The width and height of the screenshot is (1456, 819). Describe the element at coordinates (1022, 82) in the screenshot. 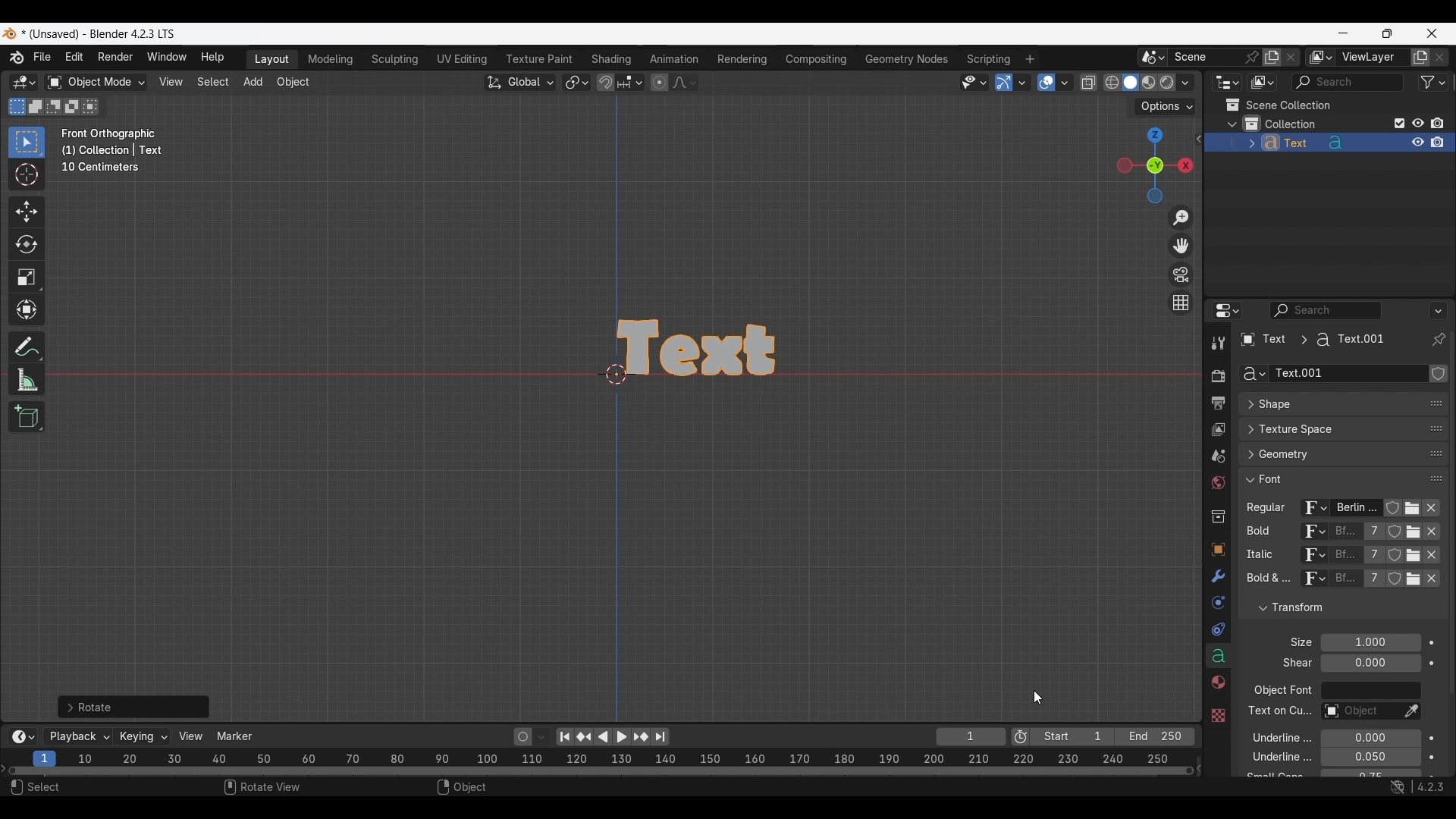

I see `Gizmos` at that location.